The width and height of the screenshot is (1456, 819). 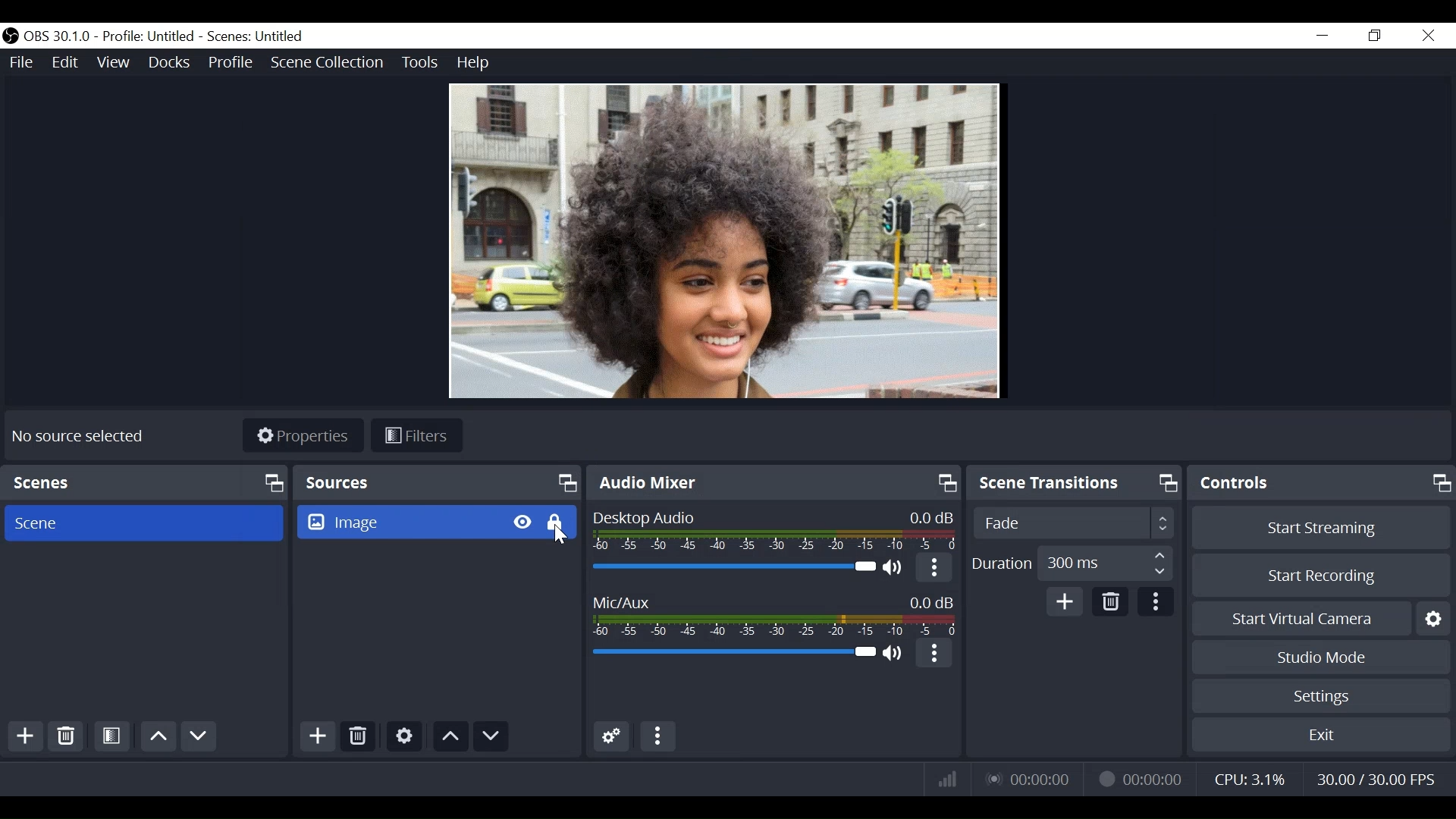 What do you see at coordinates (1299, 618) in the screenshot?
I see `Start Virtual Camera` at bounding box center [1299, 618].